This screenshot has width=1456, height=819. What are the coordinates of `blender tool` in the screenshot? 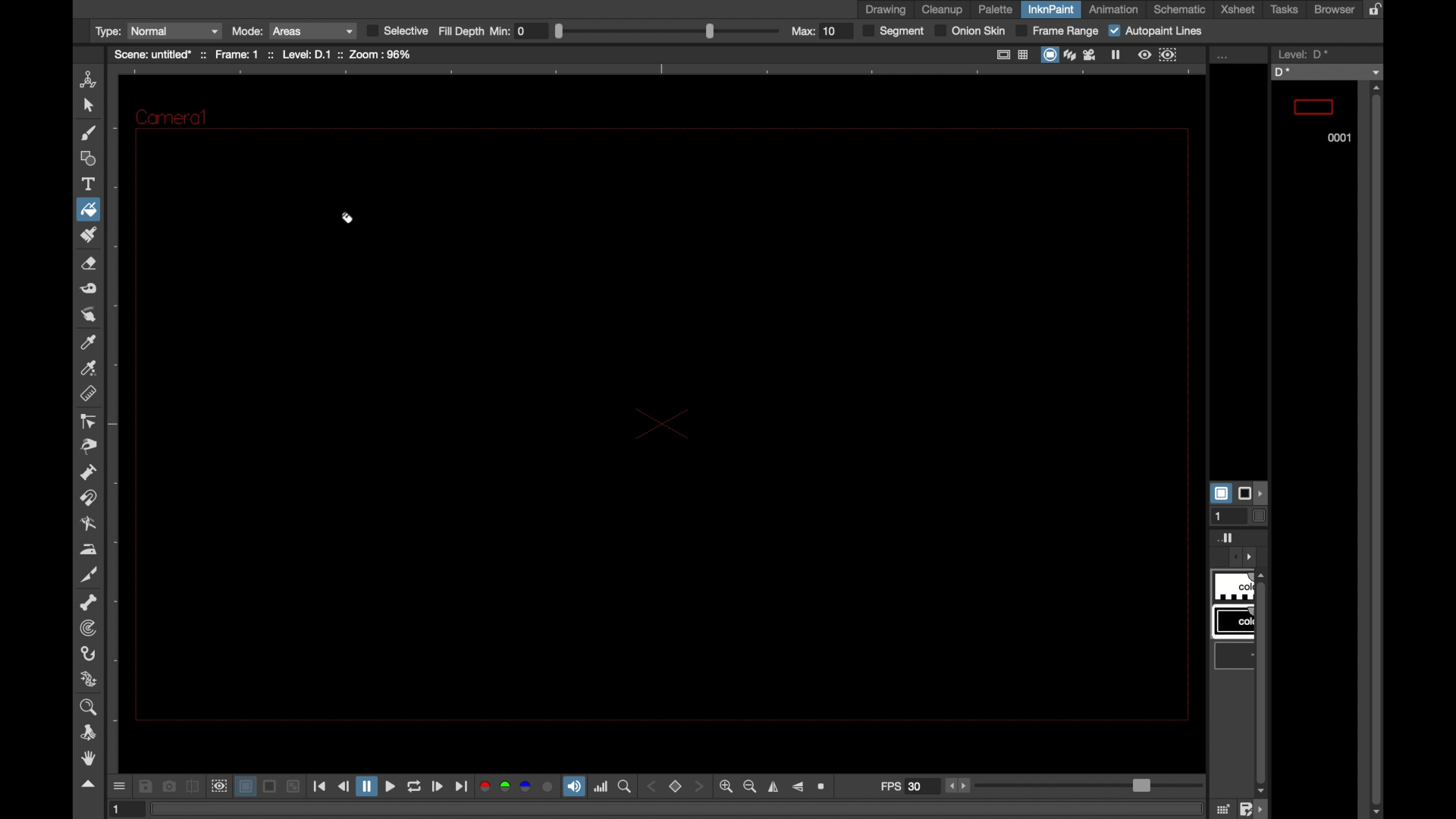 It's located at (87, 524).